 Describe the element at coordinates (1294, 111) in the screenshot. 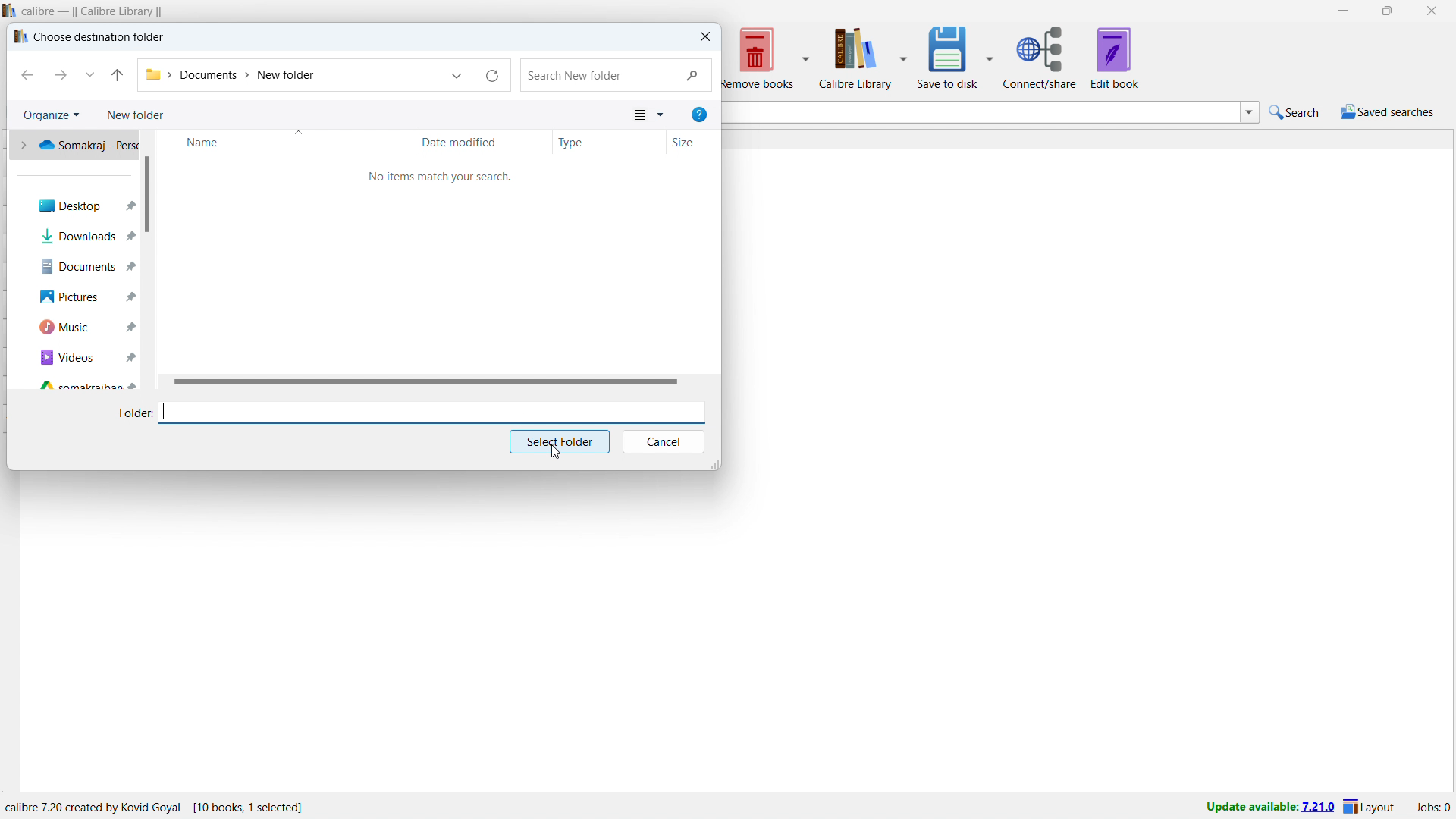

I see `do a quick search` at that location.